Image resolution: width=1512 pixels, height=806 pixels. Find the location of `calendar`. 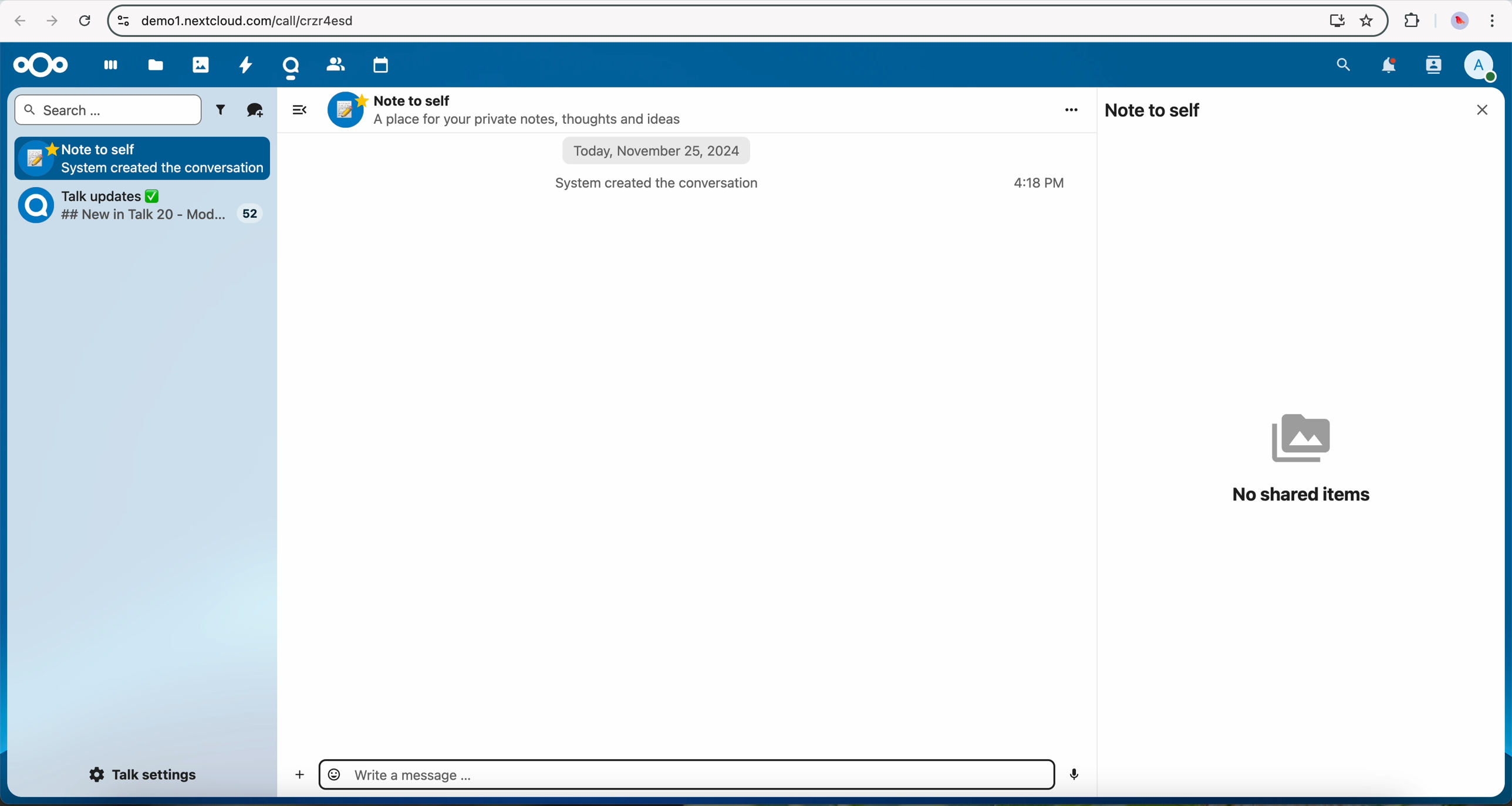

calendar is located at coordinates (383, 65).